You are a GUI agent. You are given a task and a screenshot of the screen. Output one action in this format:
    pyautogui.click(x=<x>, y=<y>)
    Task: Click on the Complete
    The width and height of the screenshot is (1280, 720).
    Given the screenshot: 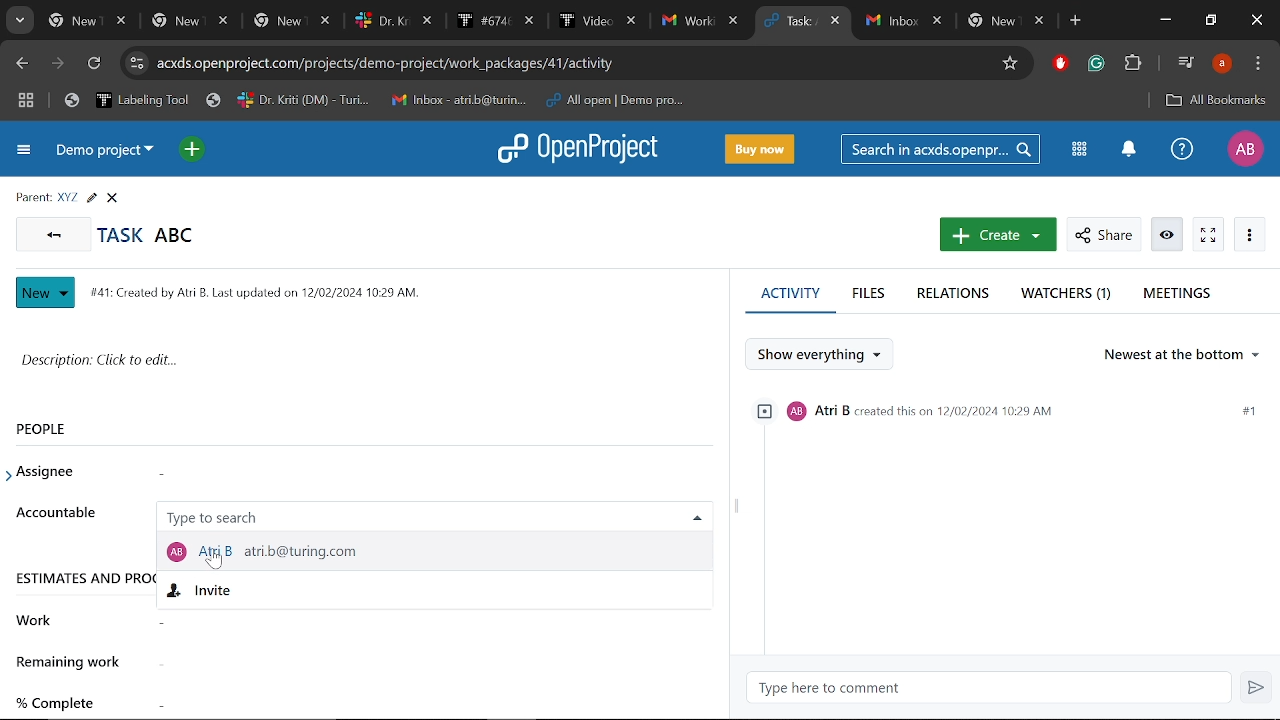 What is the action you would take?
    pyautogui.click(x=319, y=700)
    